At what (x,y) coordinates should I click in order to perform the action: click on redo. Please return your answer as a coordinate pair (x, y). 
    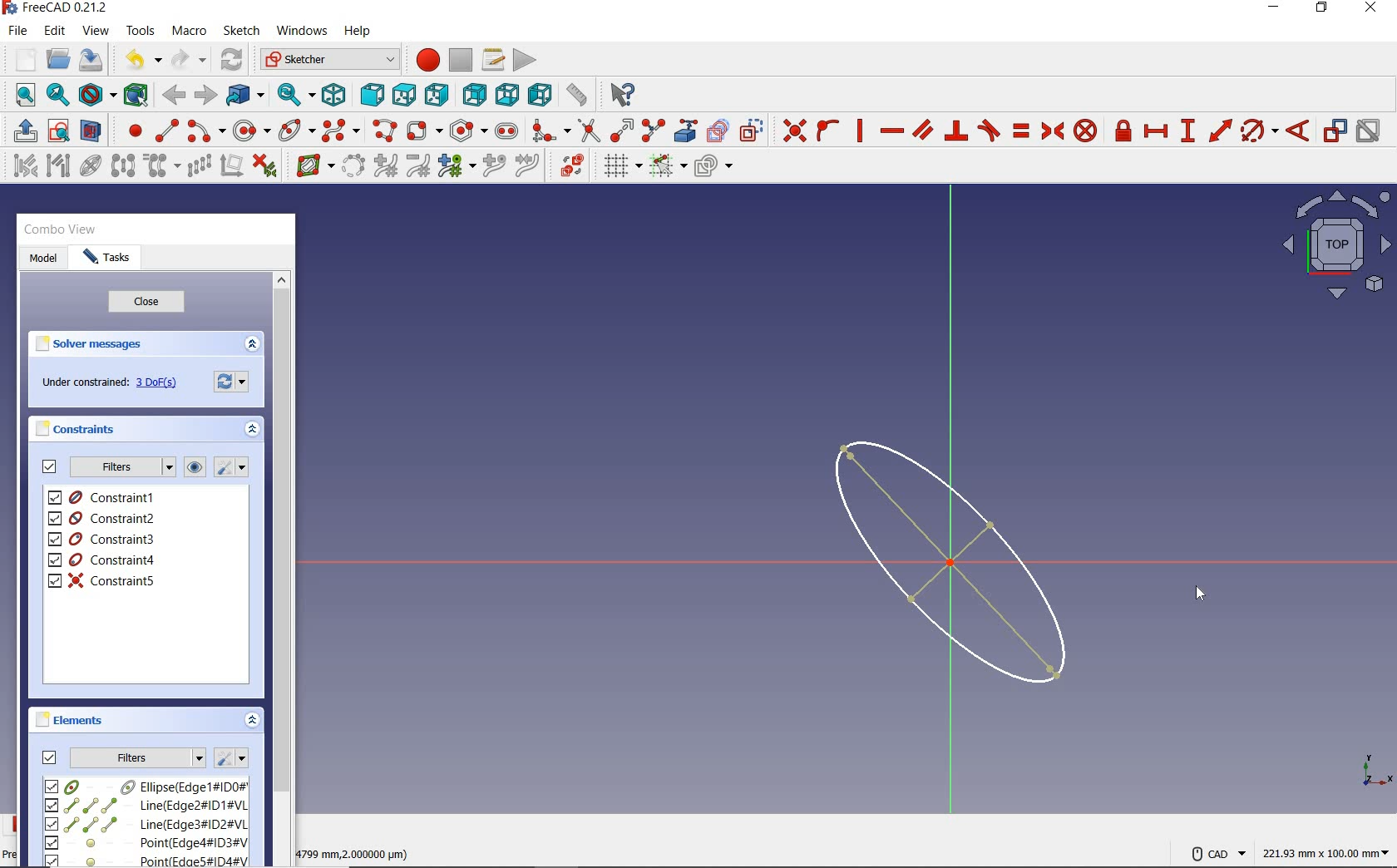
    Looking at the image, I should click on (189, 59).